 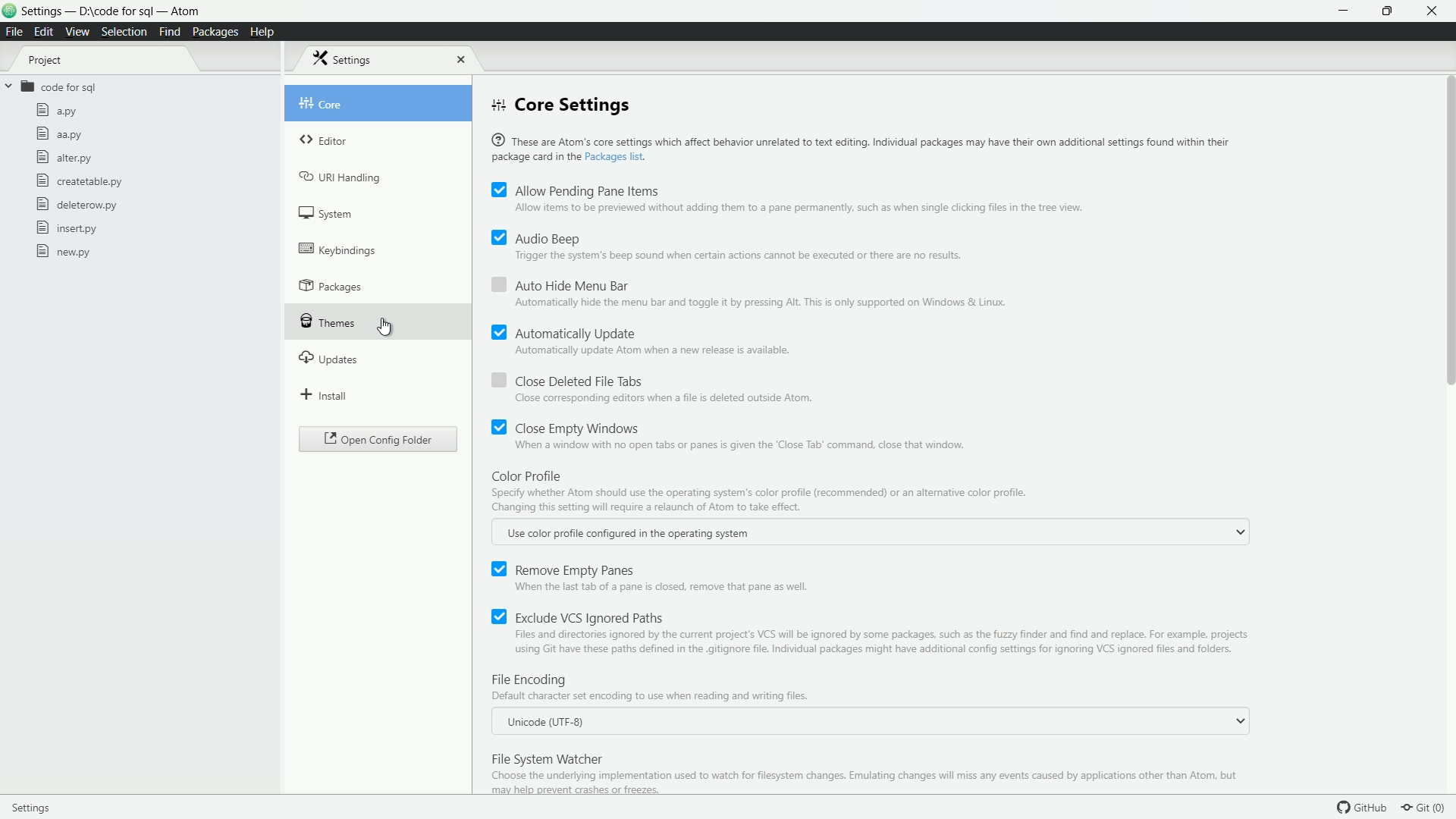 What do you see at coordinates (1389, 11) in the screenshot?
I see `maximize or restore` at bounding box center [1389, 11].